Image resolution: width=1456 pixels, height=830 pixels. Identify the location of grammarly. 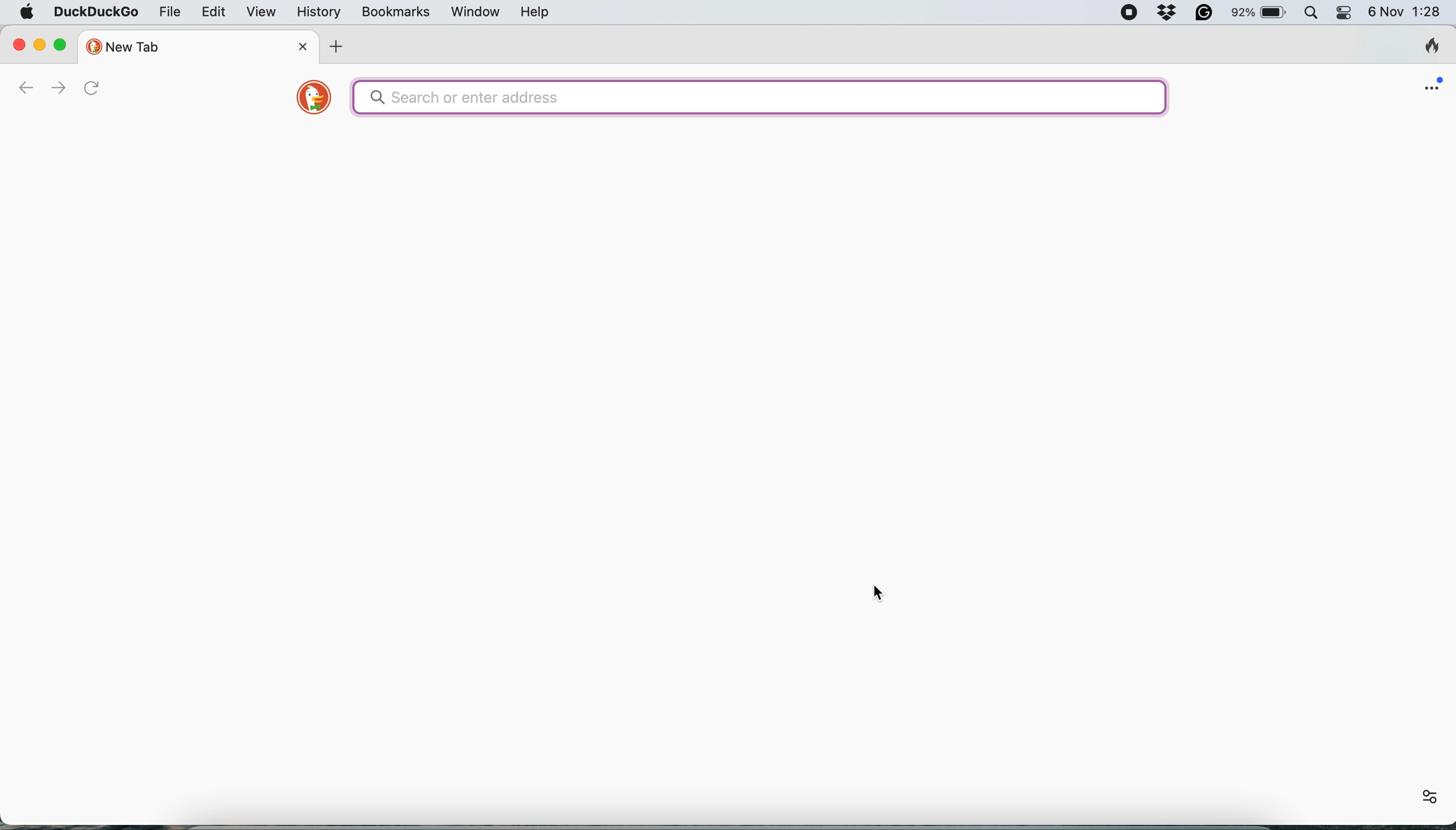
(1209, 13).